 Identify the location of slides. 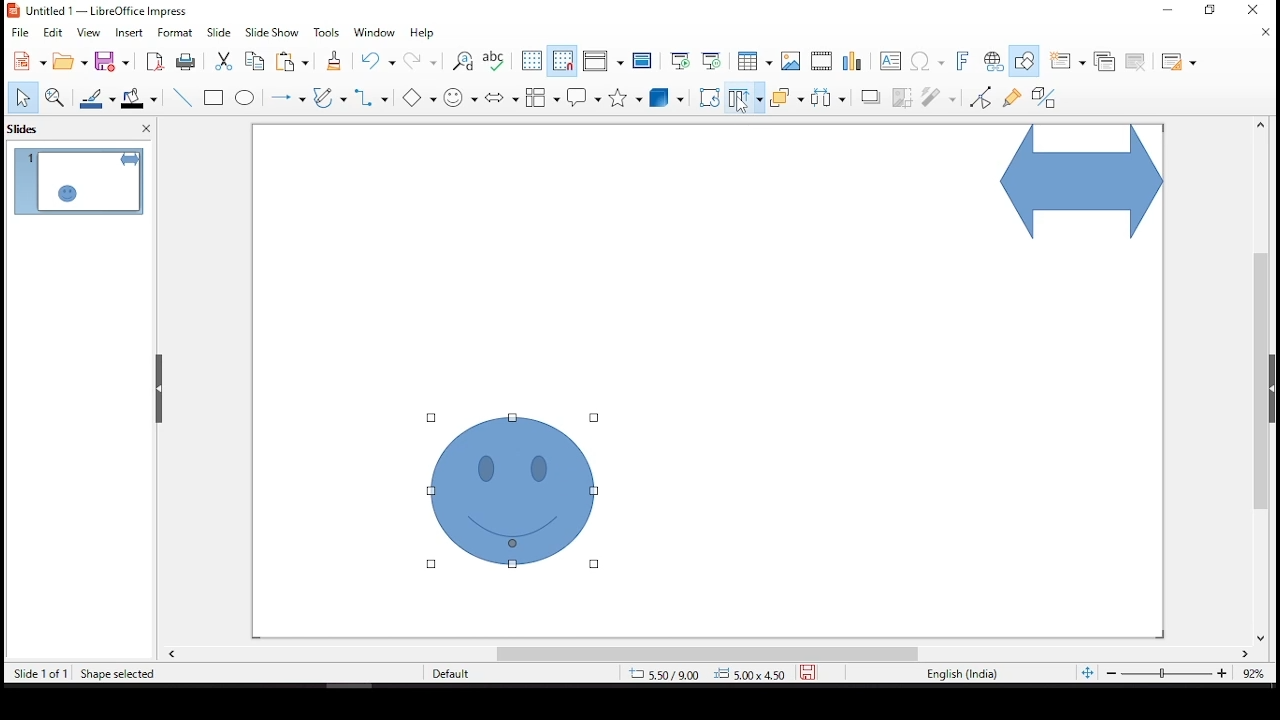
(29, 128).